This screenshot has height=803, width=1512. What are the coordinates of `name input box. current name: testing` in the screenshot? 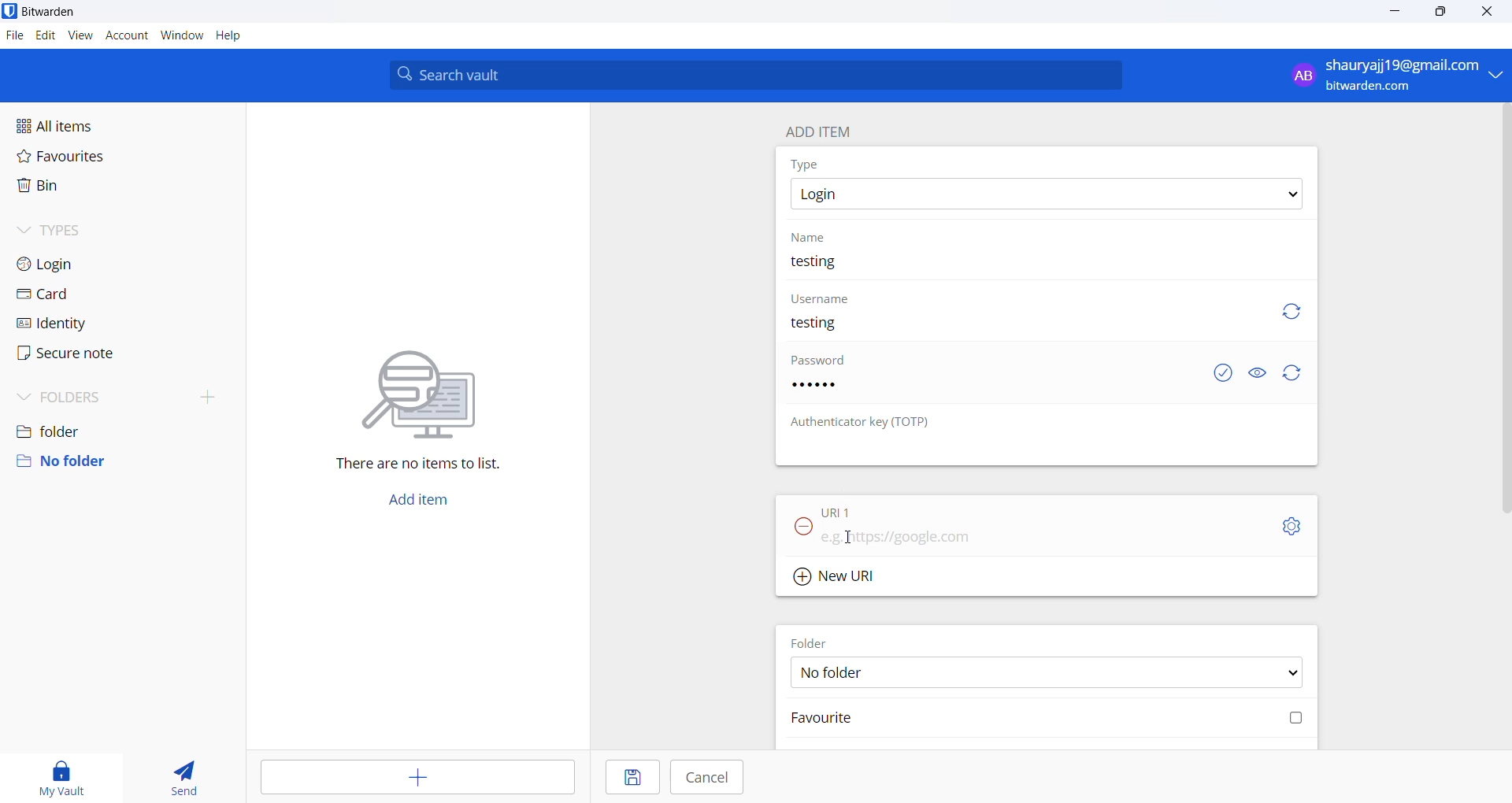 It's located at (1048, 269).